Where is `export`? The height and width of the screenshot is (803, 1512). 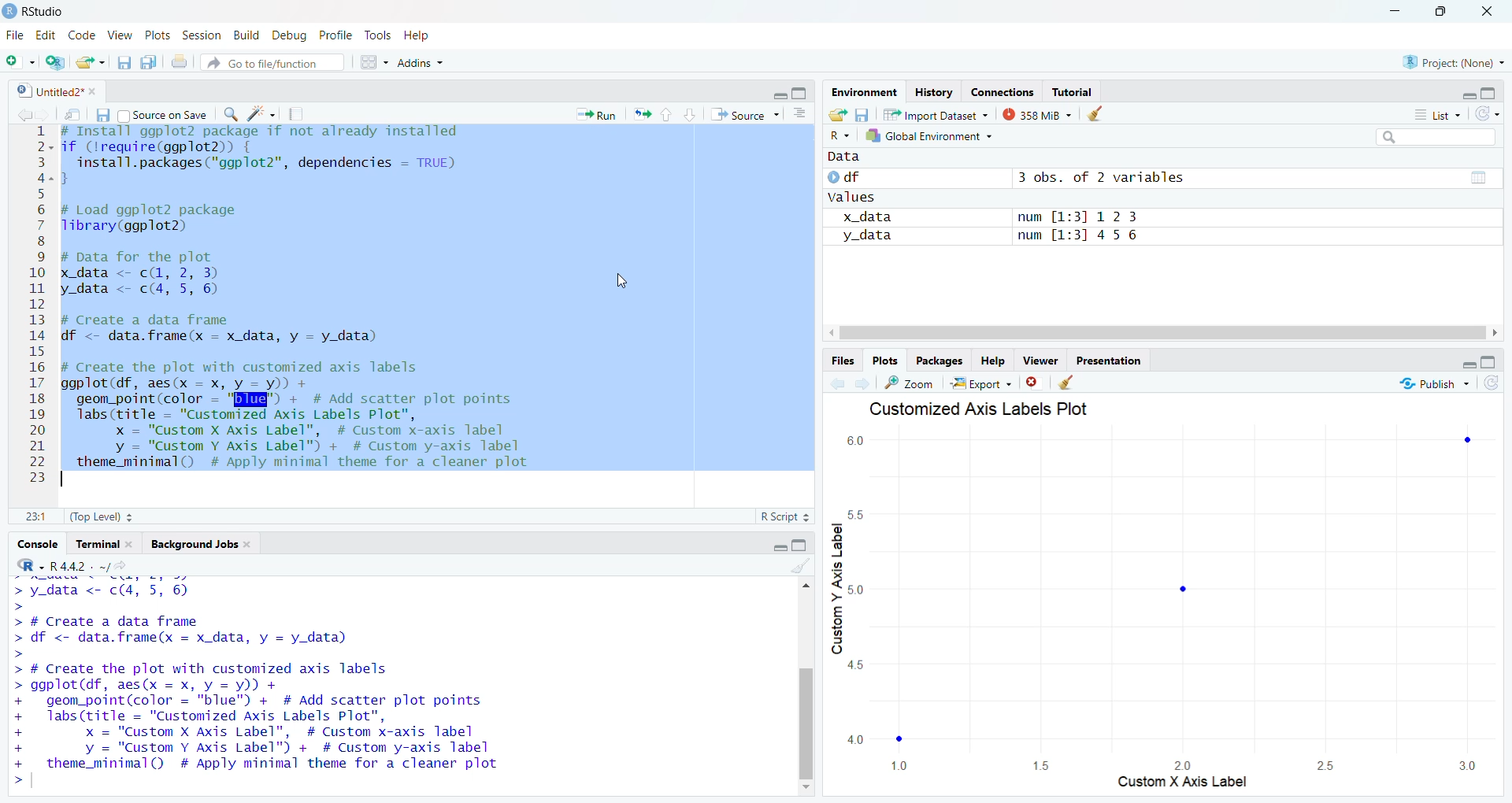
export is located at coordinates (835, 113).